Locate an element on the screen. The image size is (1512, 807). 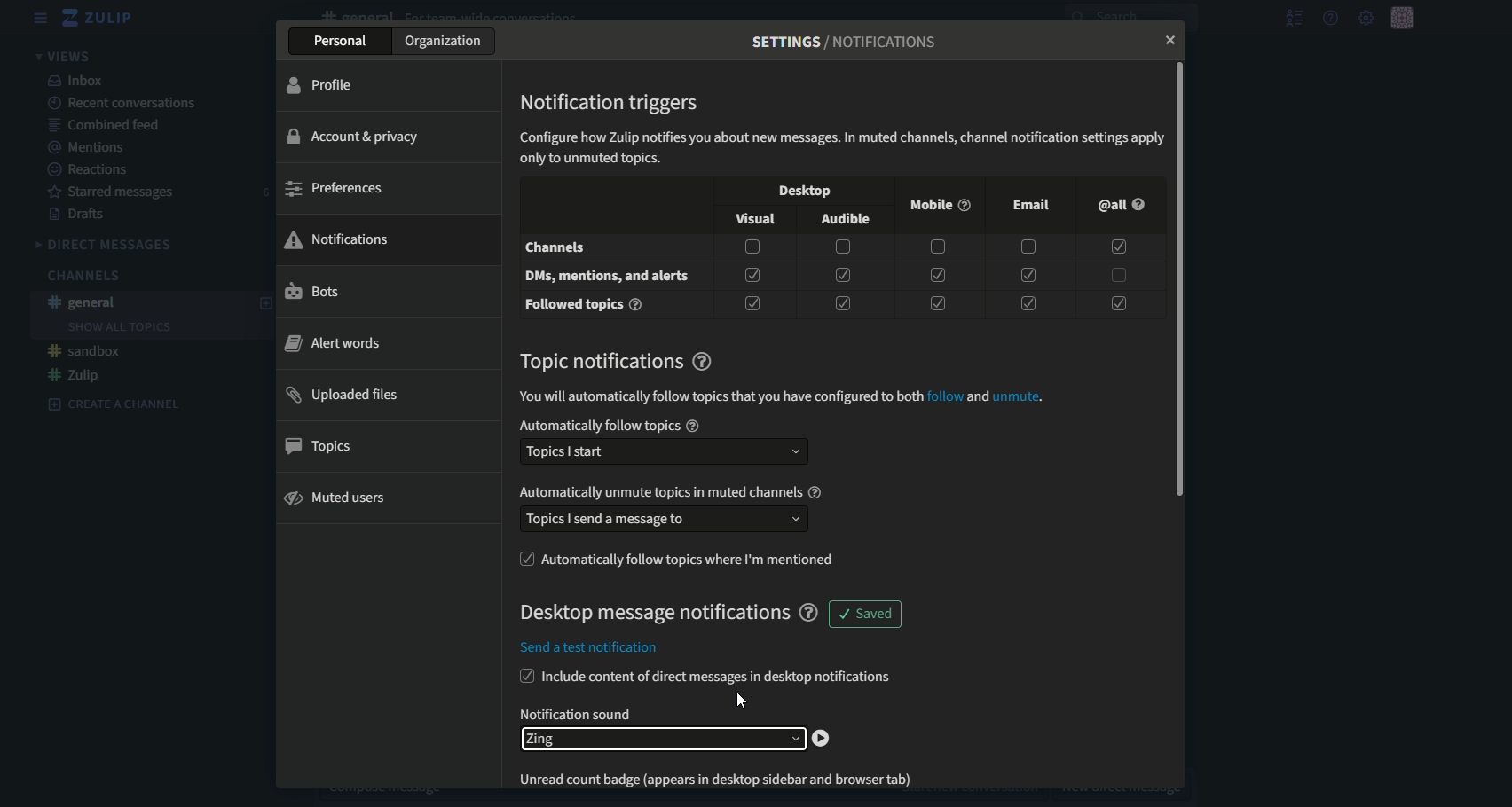
checkbox is located at coordinates (936, 303).